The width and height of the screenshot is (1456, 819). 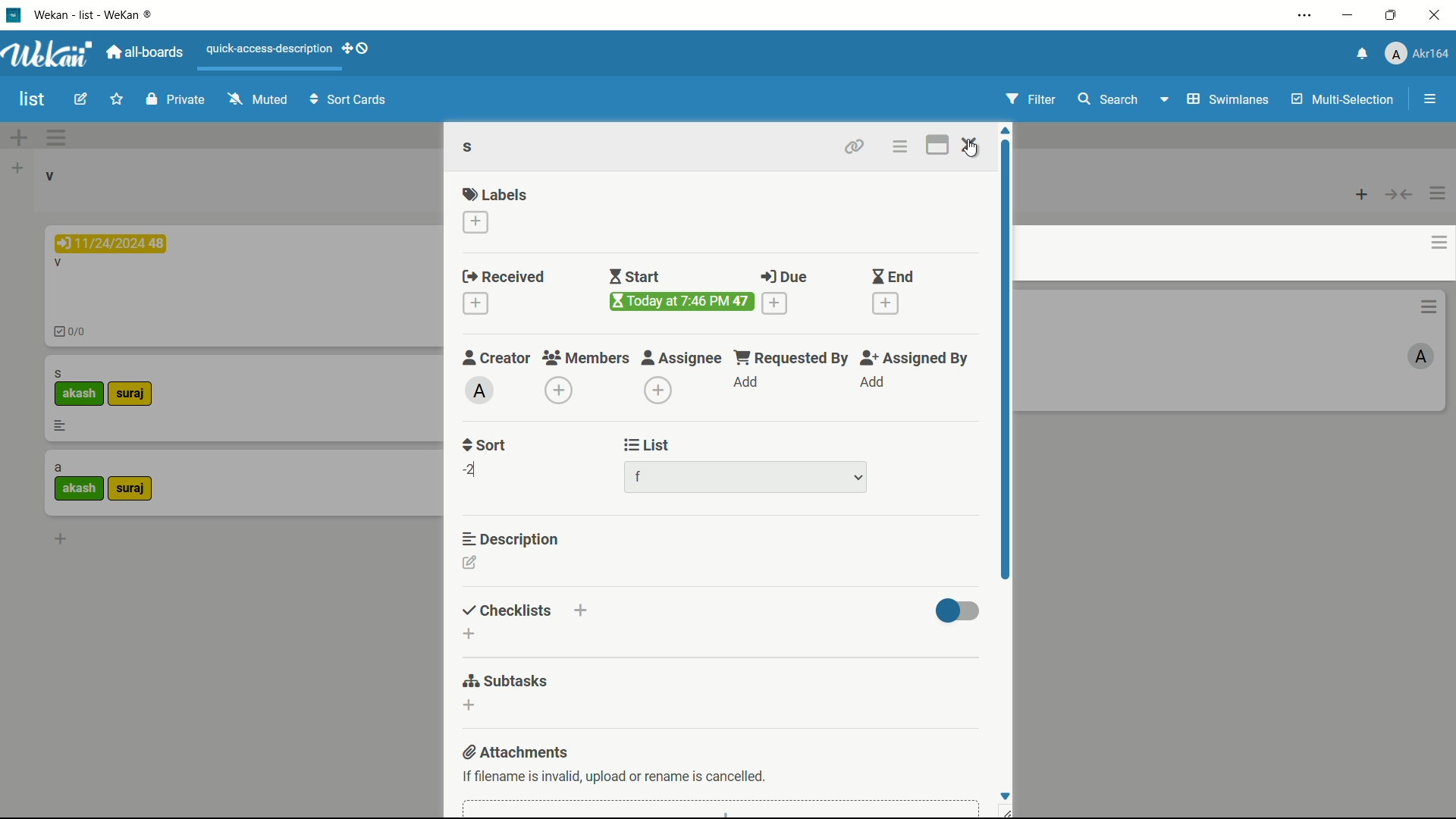 What do you see at coordinates (1428, 287) in the screenshot?
I see `card actions` at bounding box center [1428, 287].